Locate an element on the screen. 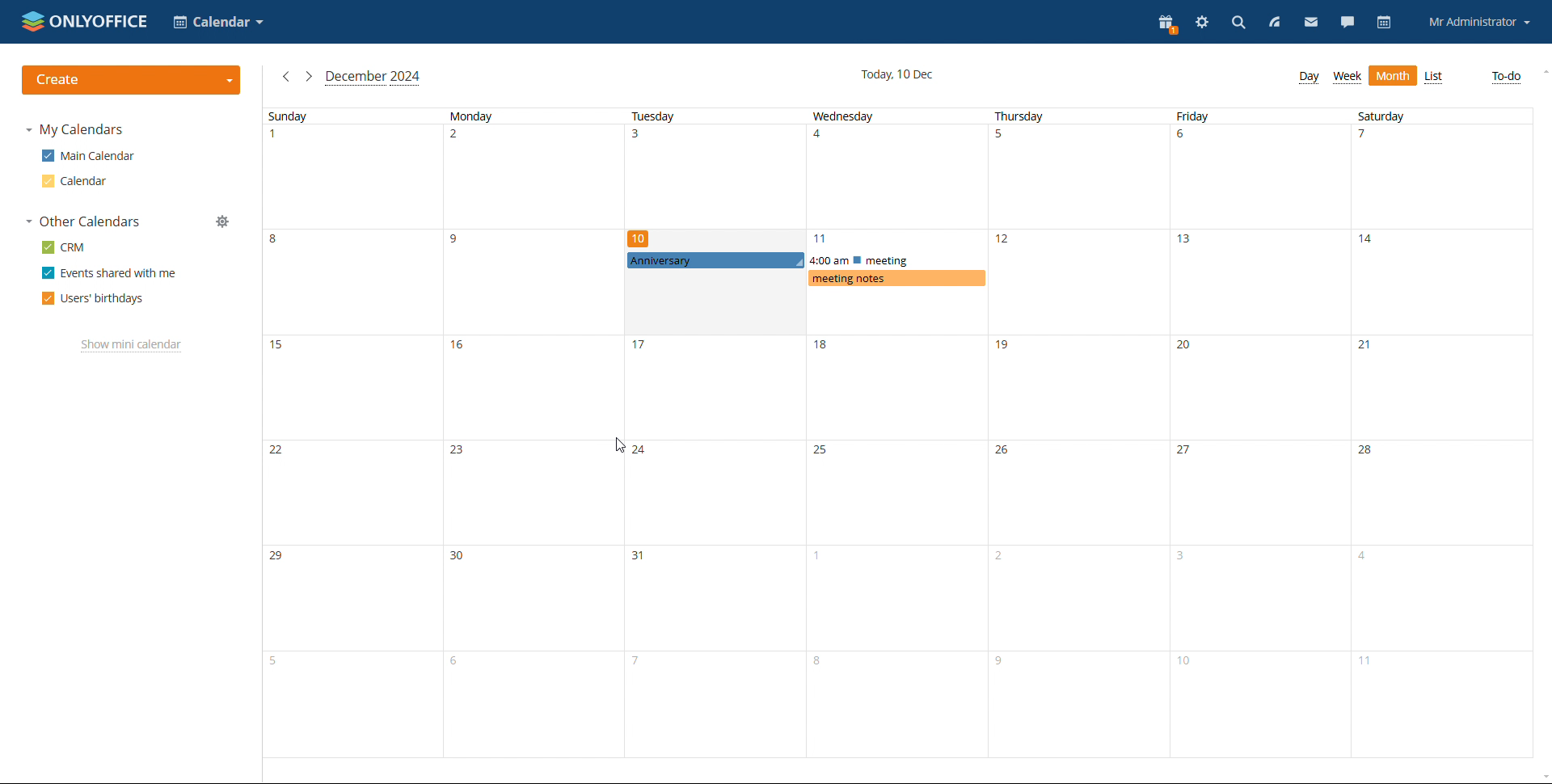 The image size is (1552, 784). tuesday is located at coordinates (718, 435).